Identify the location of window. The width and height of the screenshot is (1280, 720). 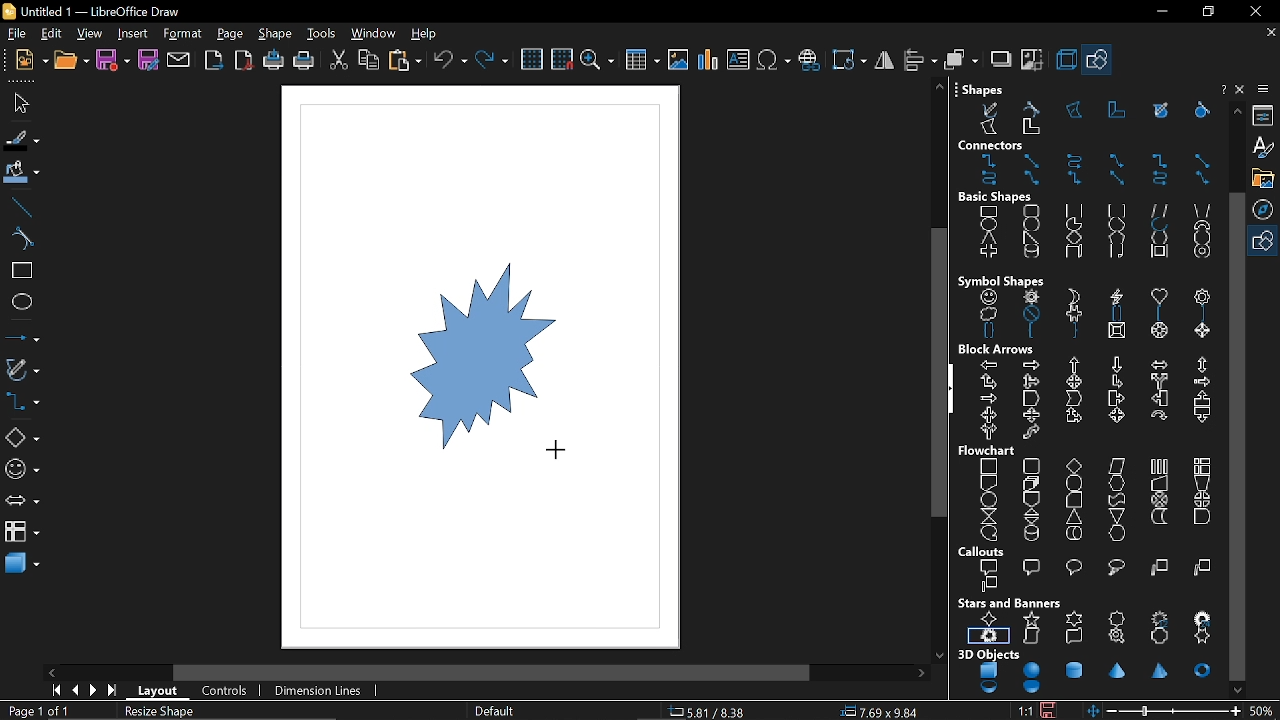
(374, 34).